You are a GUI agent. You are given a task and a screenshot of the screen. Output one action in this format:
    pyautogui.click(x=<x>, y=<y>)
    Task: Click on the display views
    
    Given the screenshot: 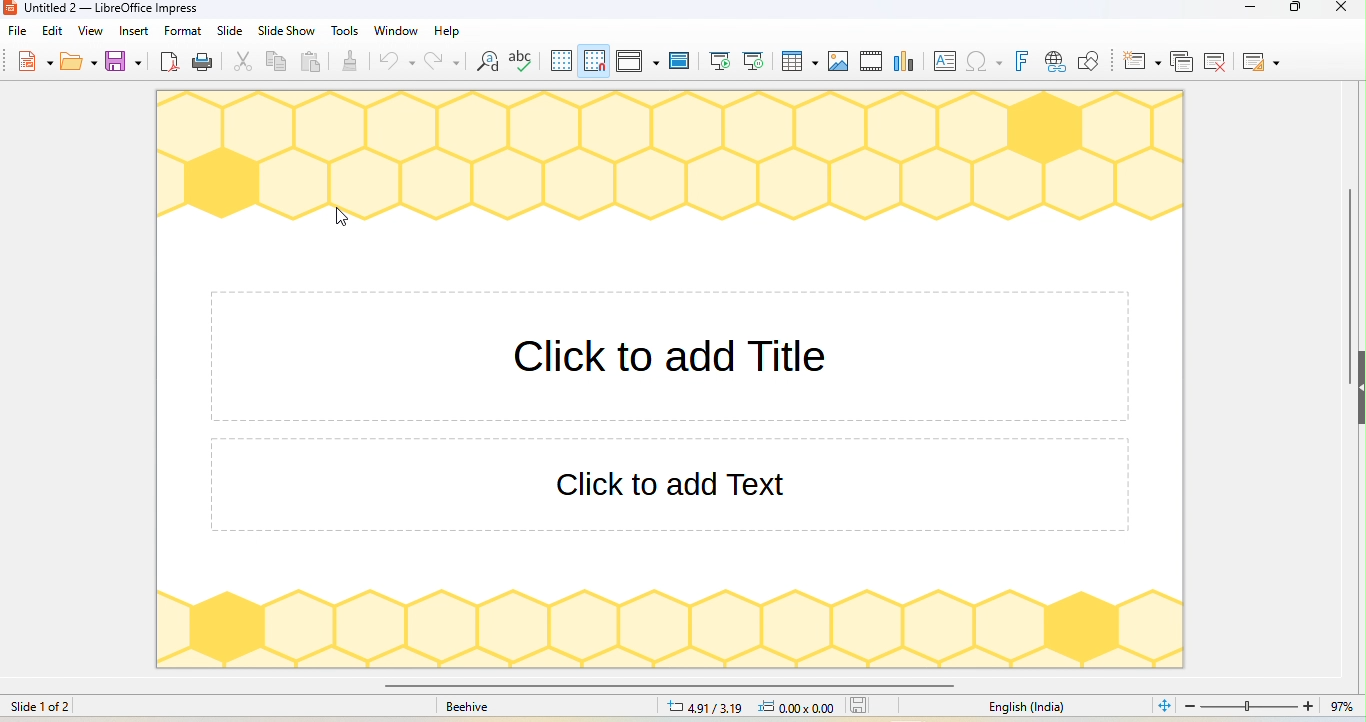 What is the action you would take?
    pyautogui.click(x=639, y=61)
    